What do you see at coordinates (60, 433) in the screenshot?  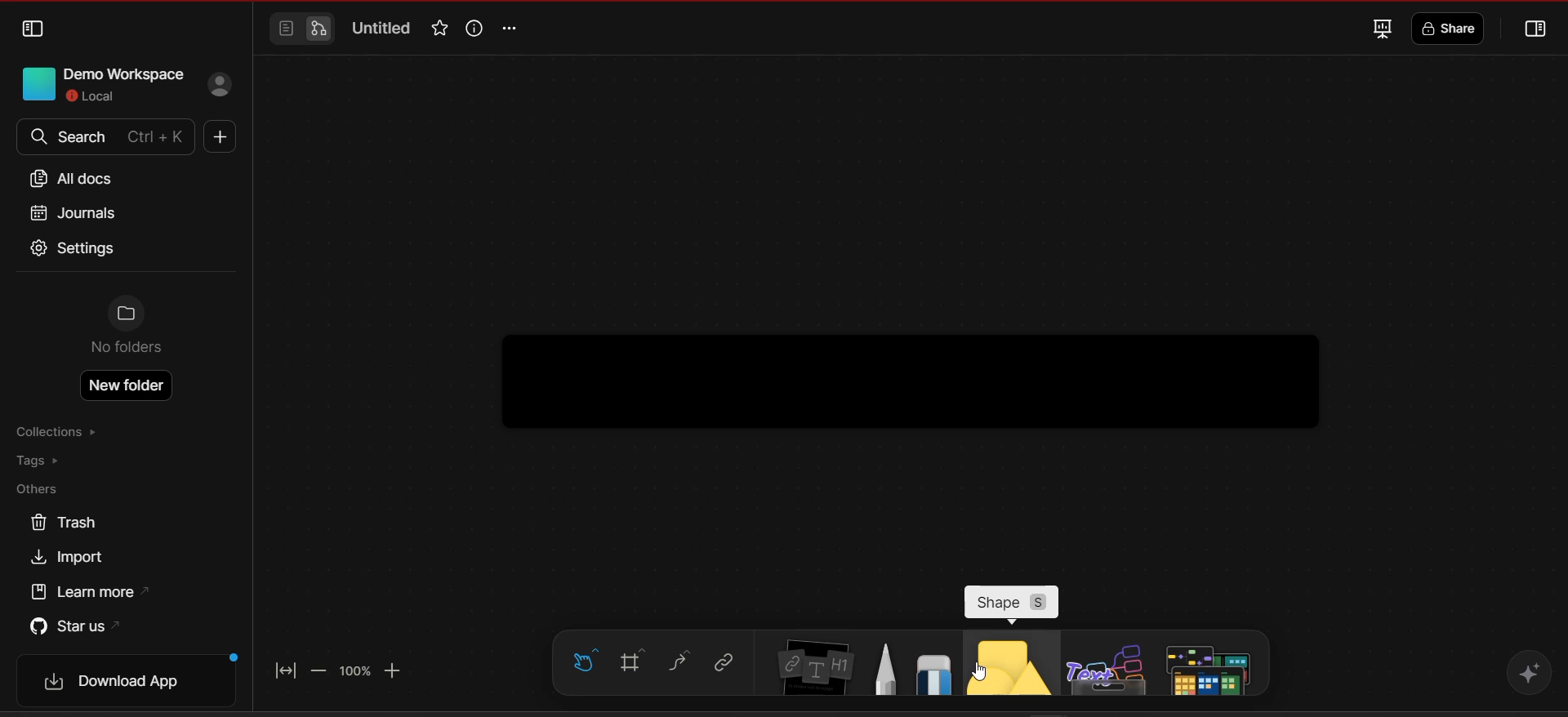 I see `collections` at bounding box center [60, 433].